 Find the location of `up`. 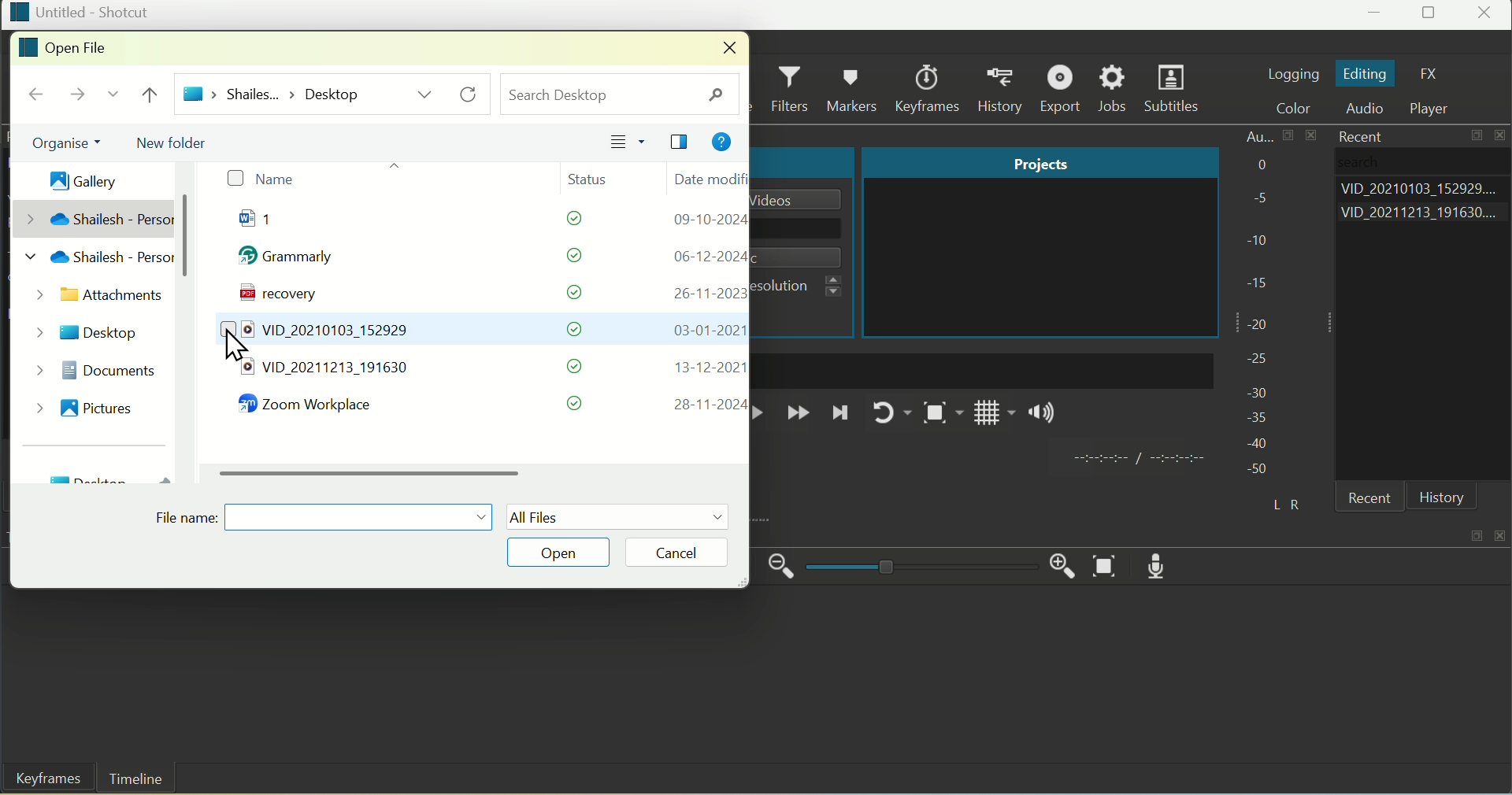

up is located at coordinates (154, 95).